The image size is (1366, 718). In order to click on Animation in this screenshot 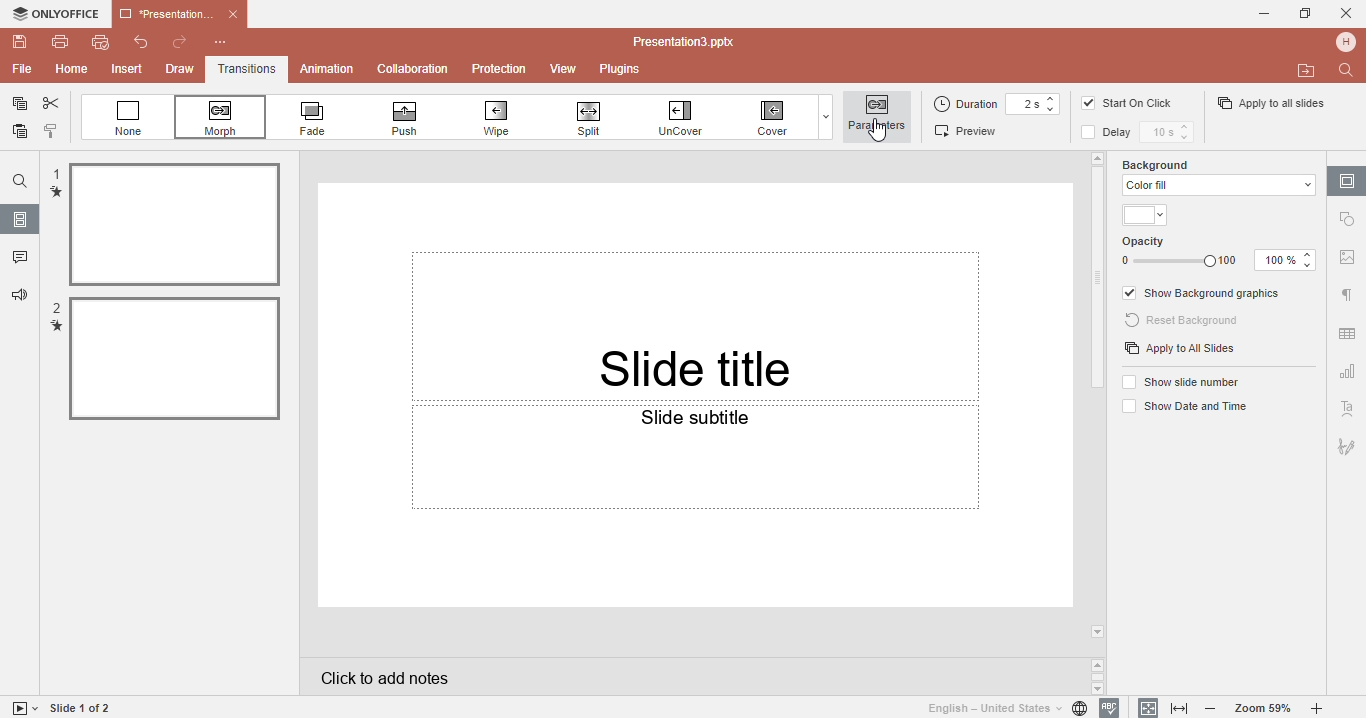, I will do `click(326, 68)`.